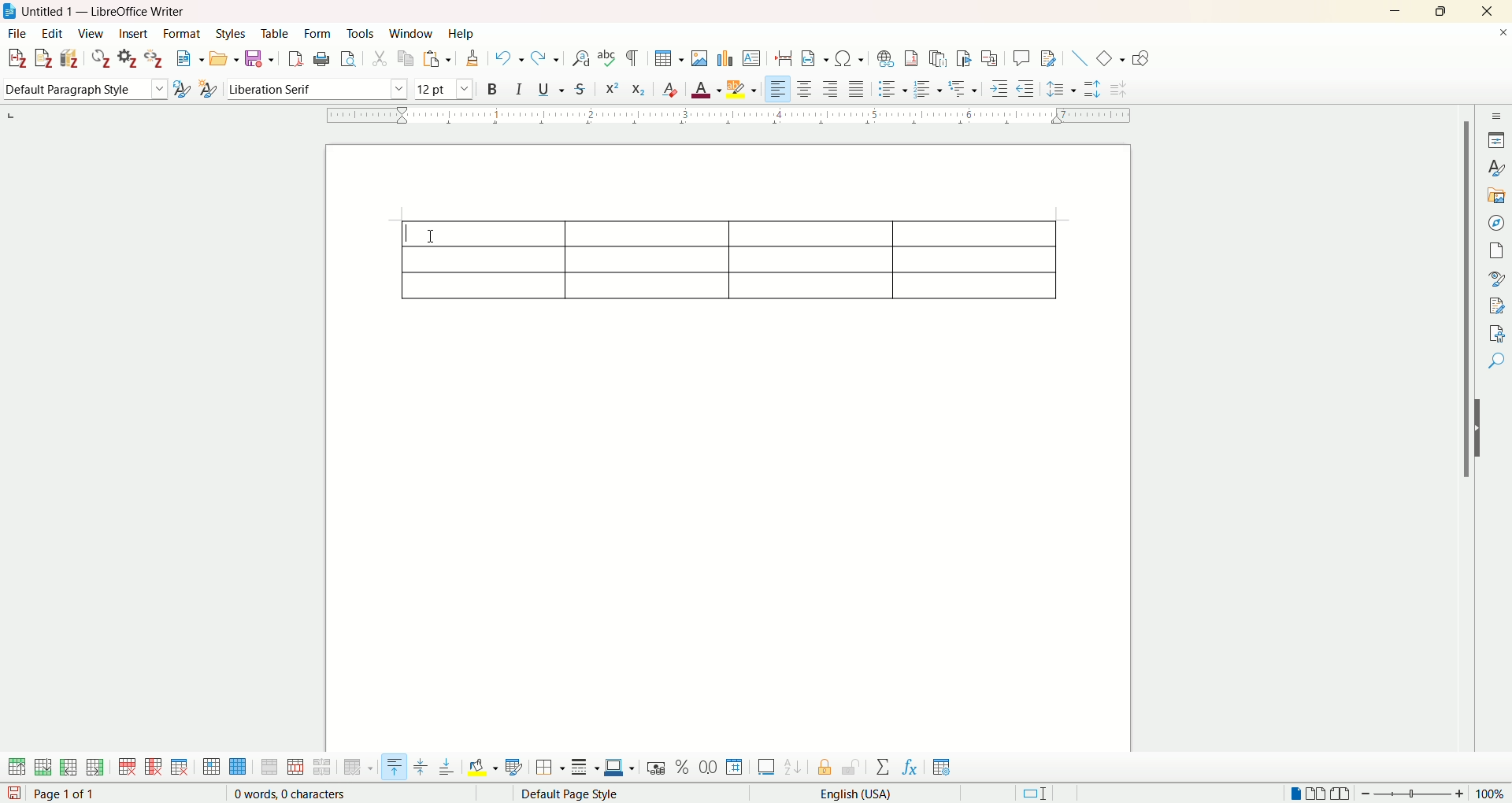 This screenshot has height=803, width=1512. What do you see at coordinates (19, 32) in the screenshot?
I see `file` at bounding box center [19, 32].